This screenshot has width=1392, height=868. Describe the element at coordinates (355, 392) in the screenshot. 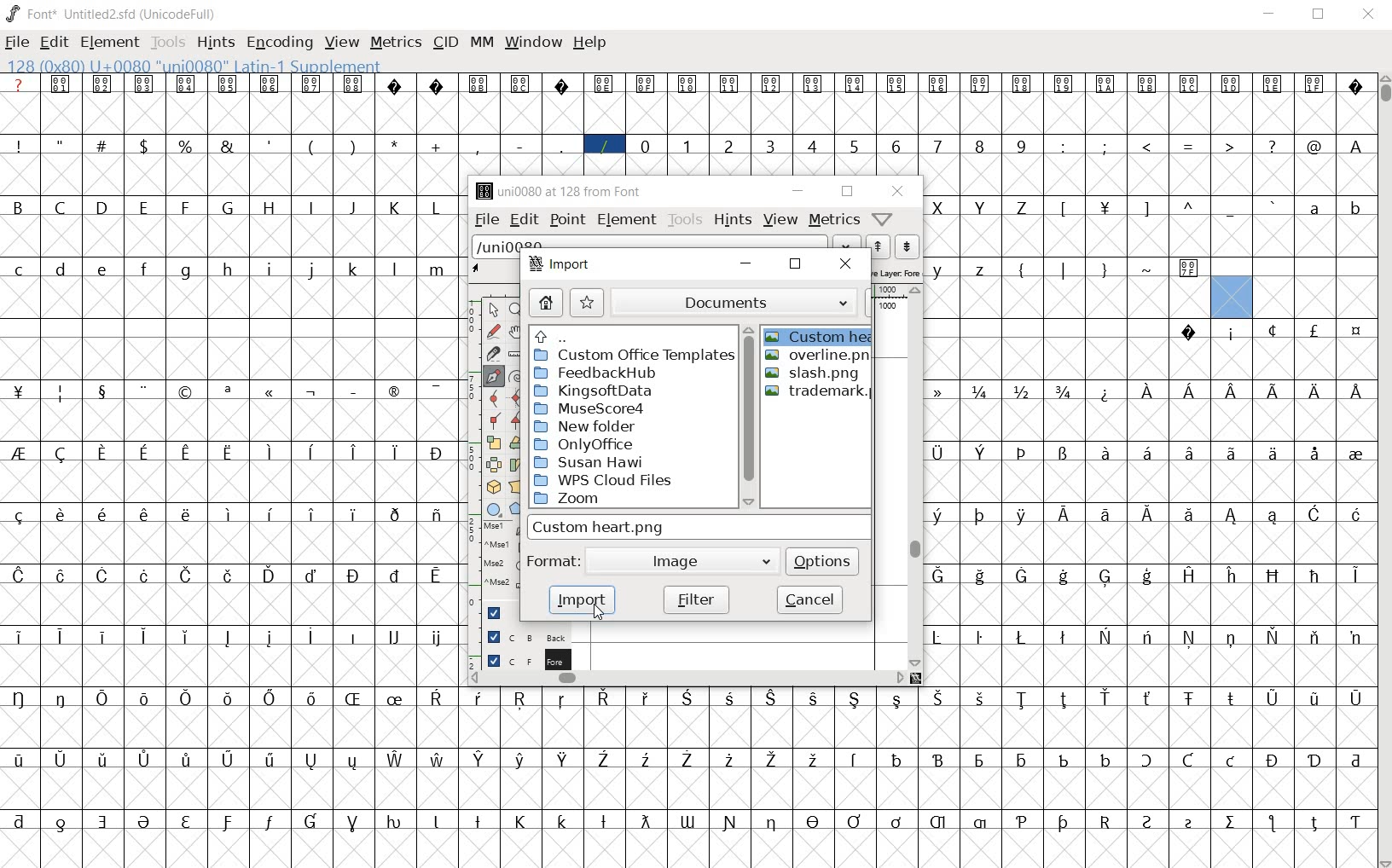

I see `glyph` at that location.